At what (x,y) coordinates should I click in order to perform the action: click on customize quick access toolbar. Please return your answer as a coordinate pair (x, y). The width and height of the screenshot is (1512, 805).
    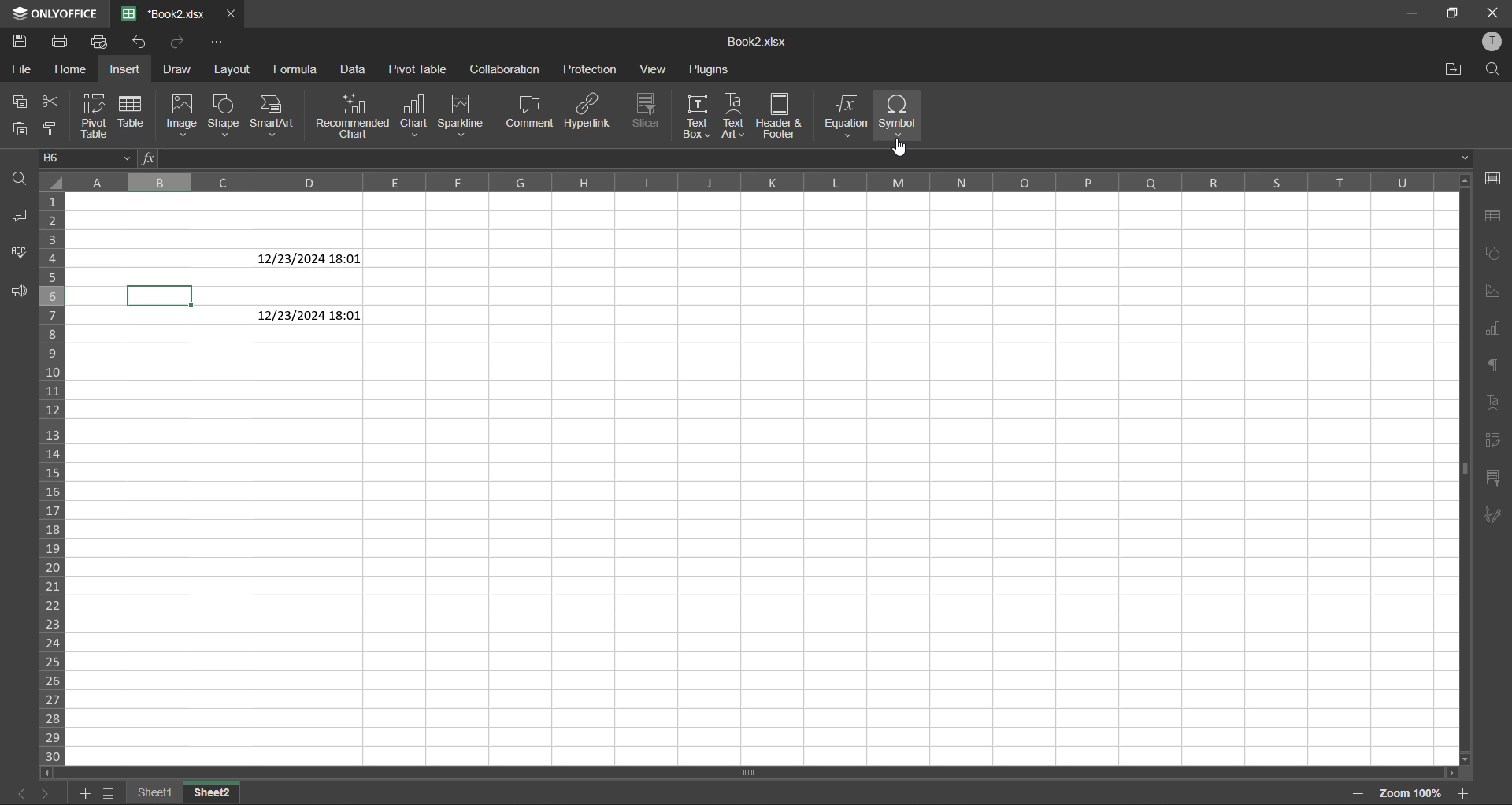
    Looking at the image, I should click on (217, 41).